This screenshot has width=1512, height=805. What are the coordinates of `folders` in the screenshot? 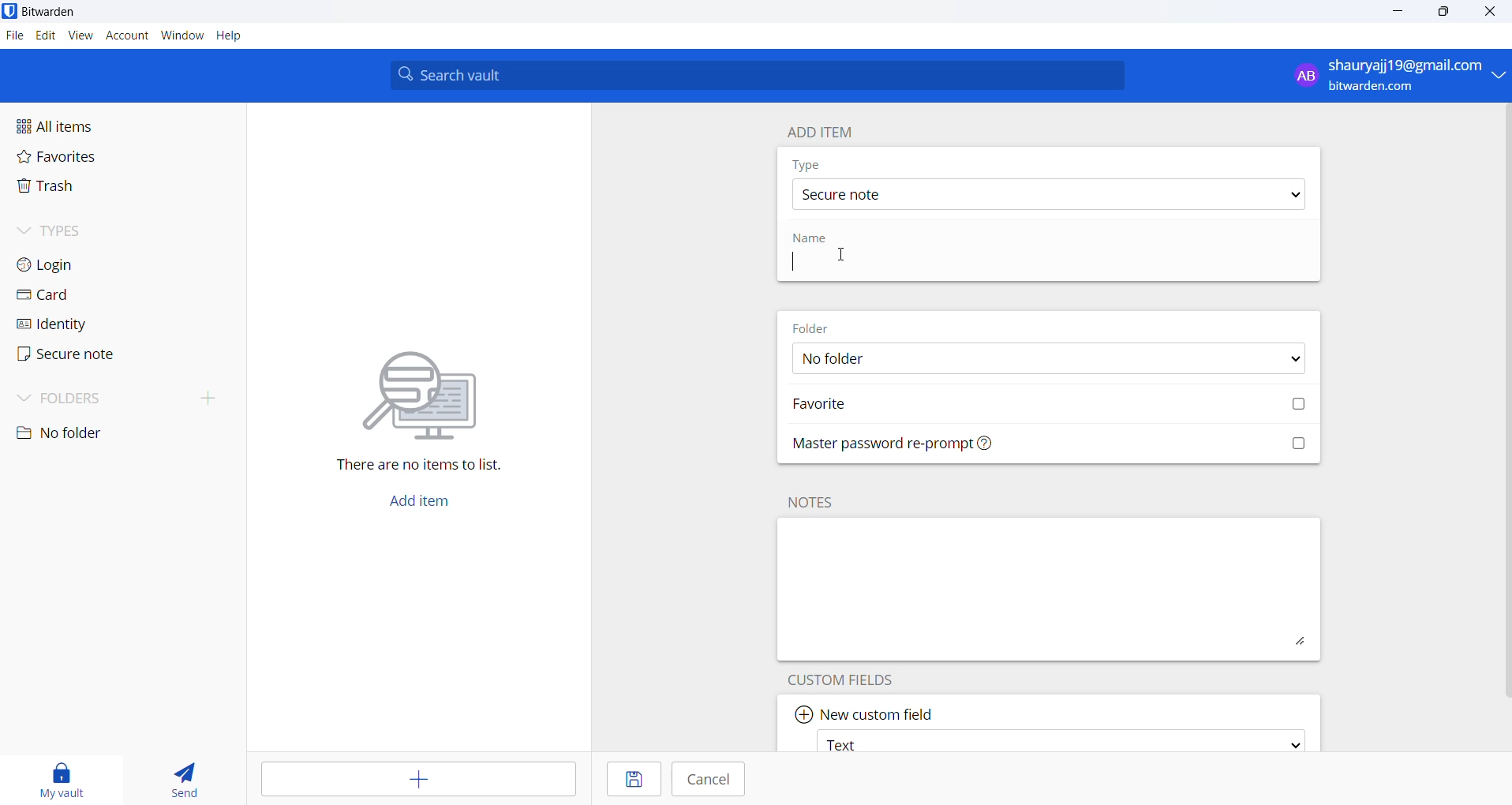 It's located at (123, 401).